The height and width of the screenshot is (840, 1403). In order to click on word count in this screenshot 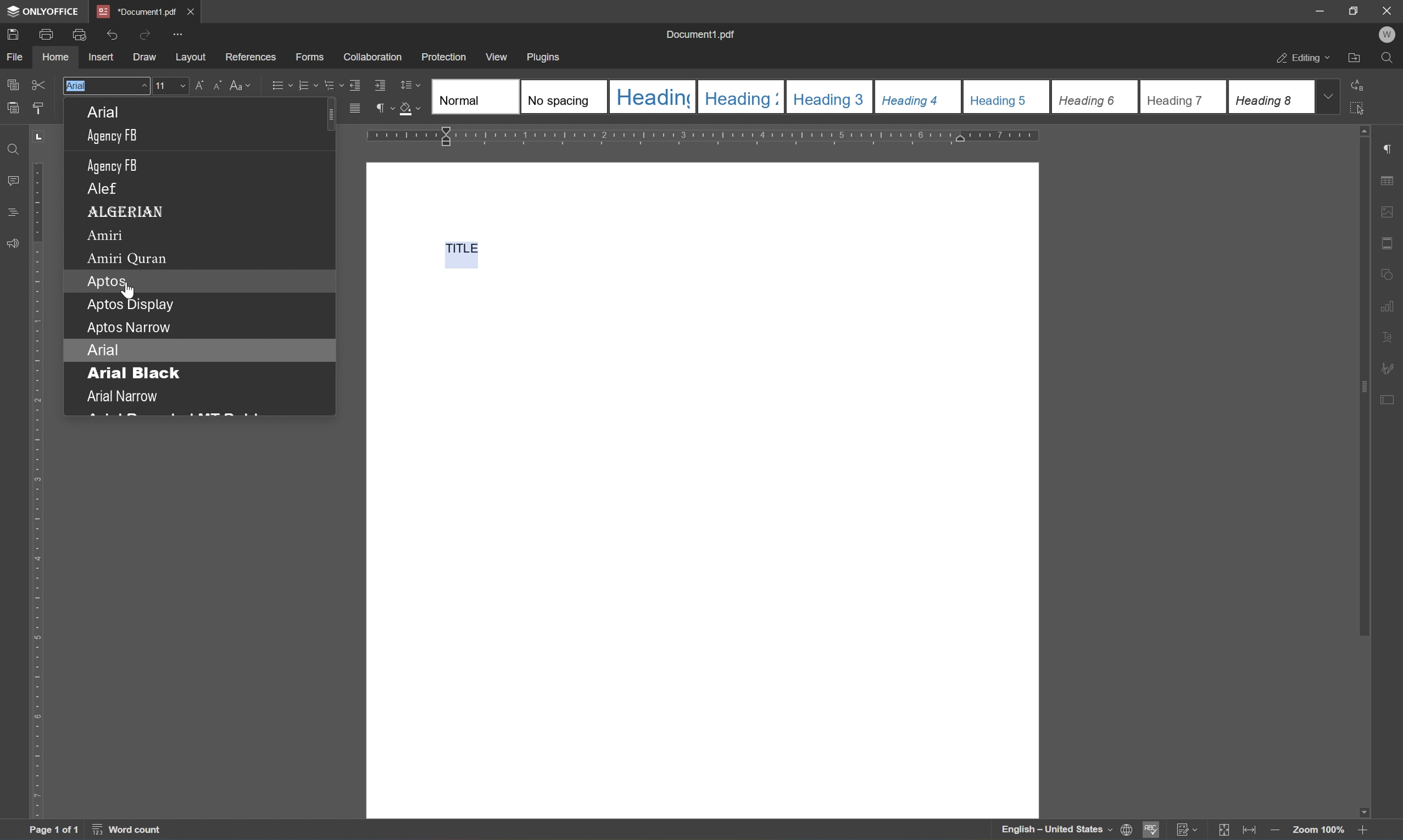, I will do `click(130, 831)`.